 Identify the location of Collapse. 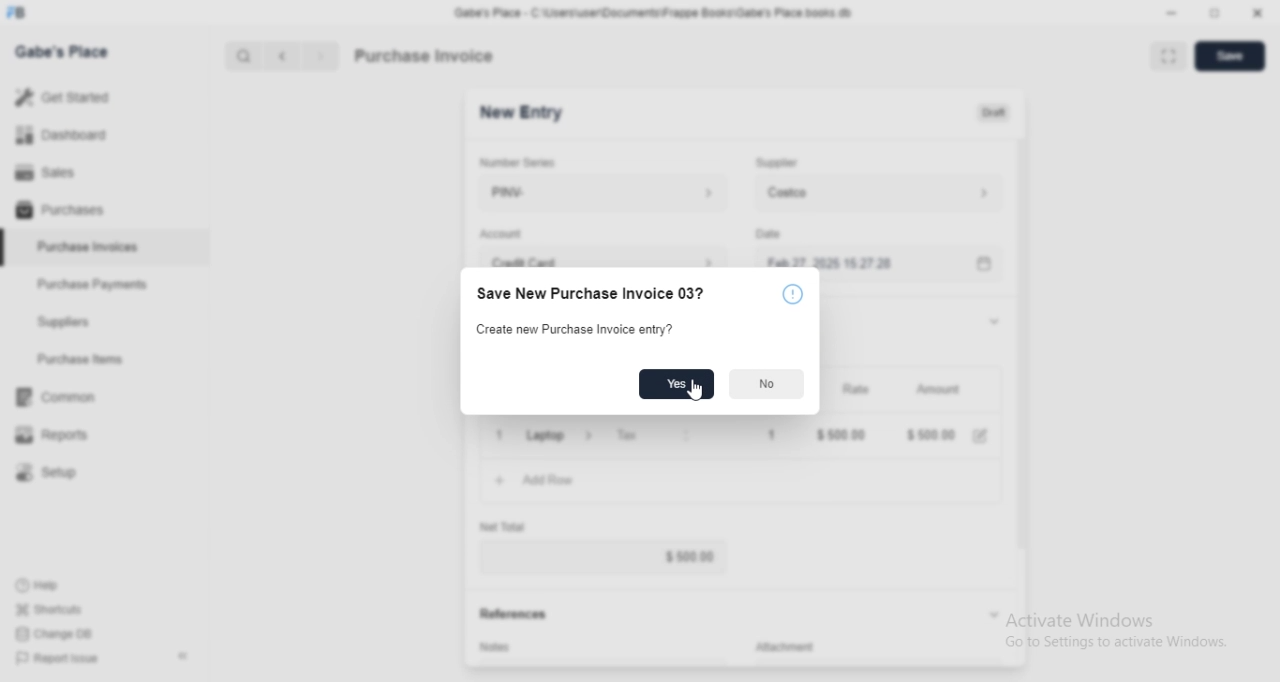
(994, 614).